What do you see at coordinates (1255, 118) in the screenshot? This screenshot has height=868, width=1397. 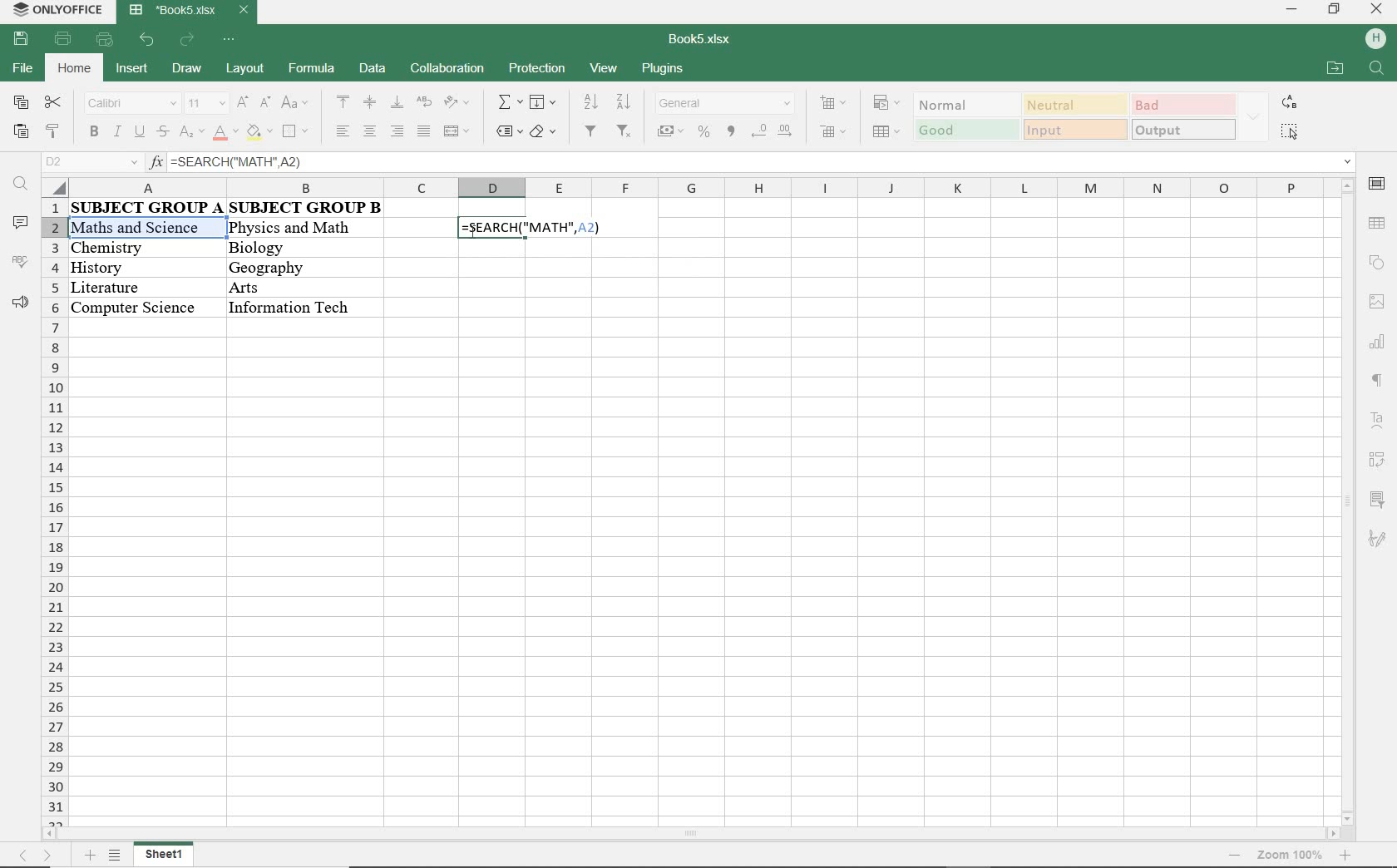 I see `expand` at bounding box center [1255, 118].